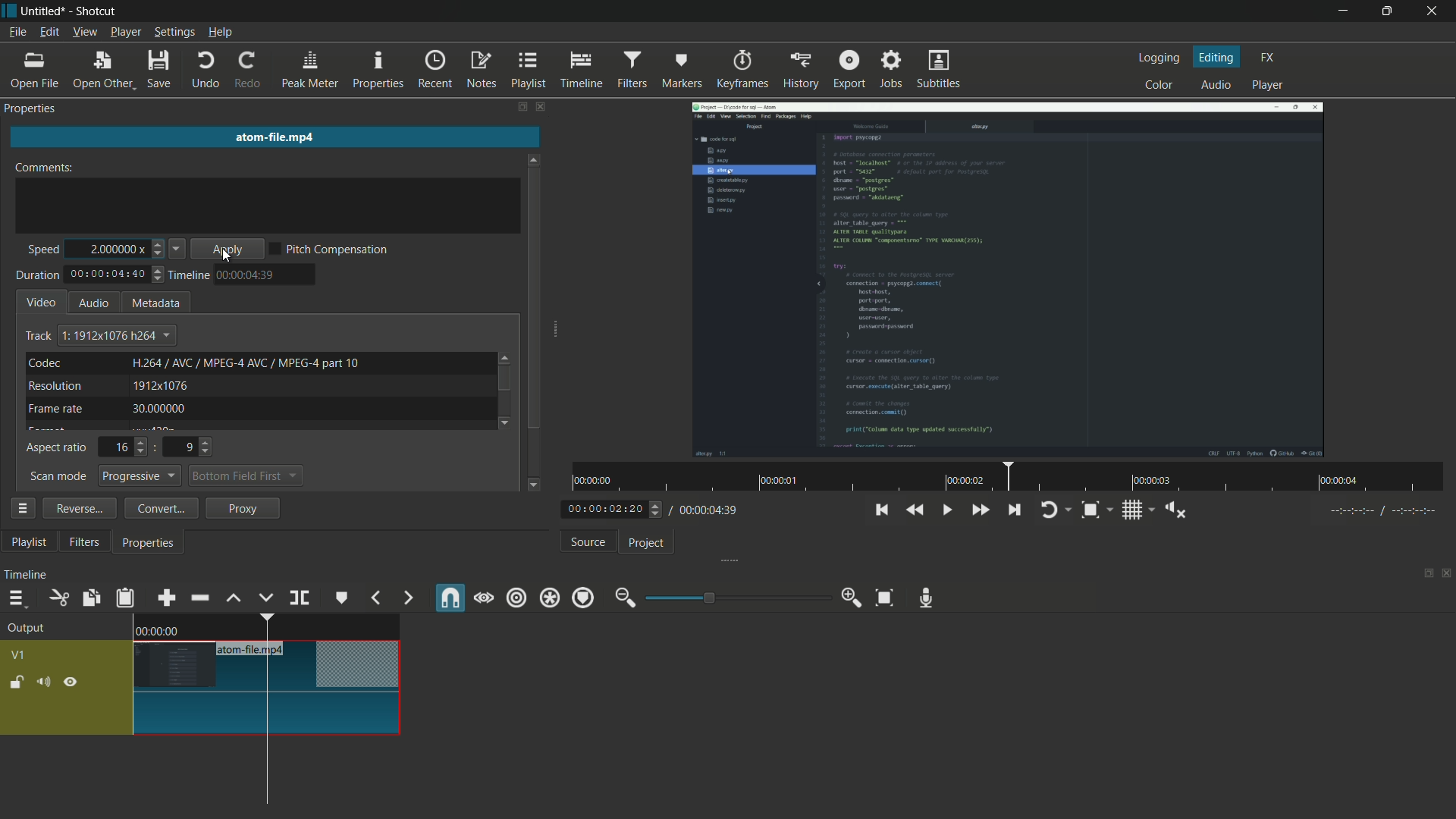  What do you see at coordinates (153, 303) in the screenshot?
I see `metadata` at bounding box center [153, 303].